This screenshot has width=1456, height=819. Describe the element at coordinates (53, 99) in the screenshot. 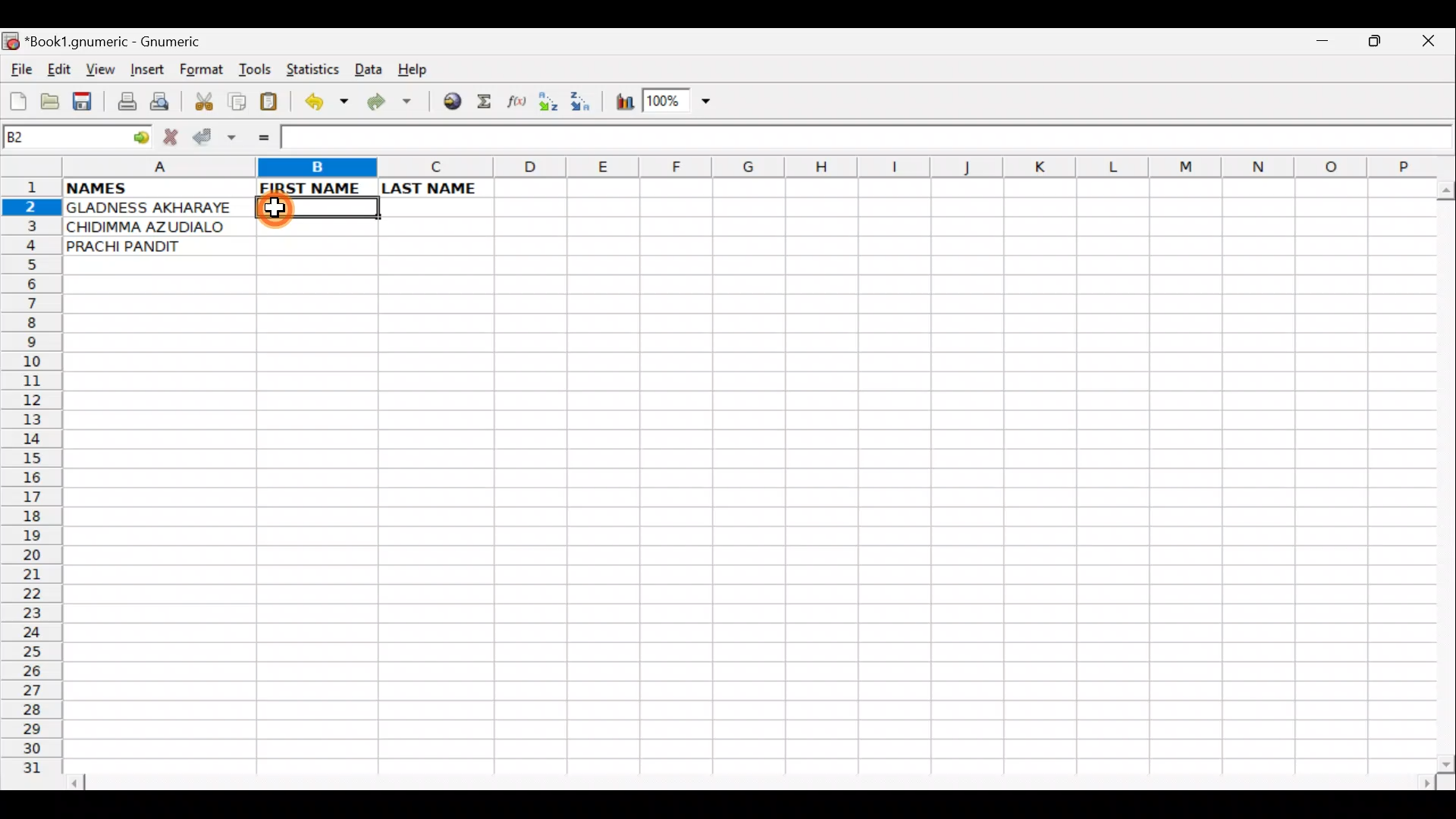

I see `Open a file` at that location.